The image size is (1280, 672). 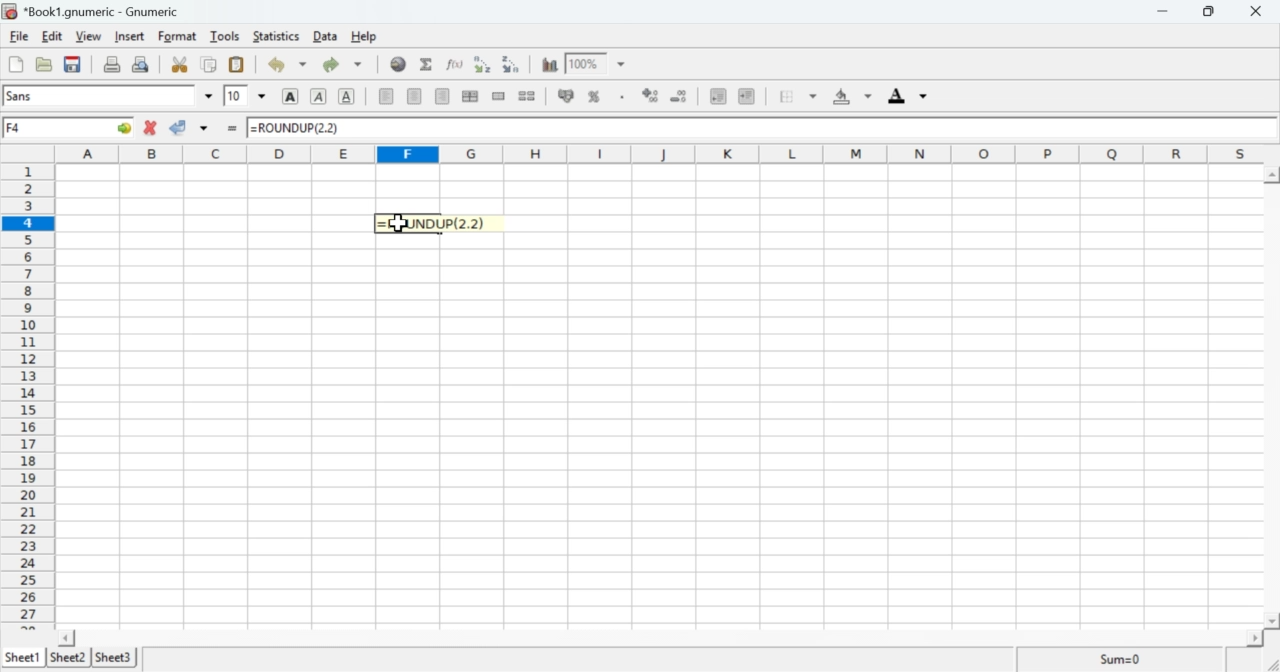 What do you see at coordinates (650, 94) in the screenshot?
I see `Increase the number of decimals` at bounding box center [650, 94].